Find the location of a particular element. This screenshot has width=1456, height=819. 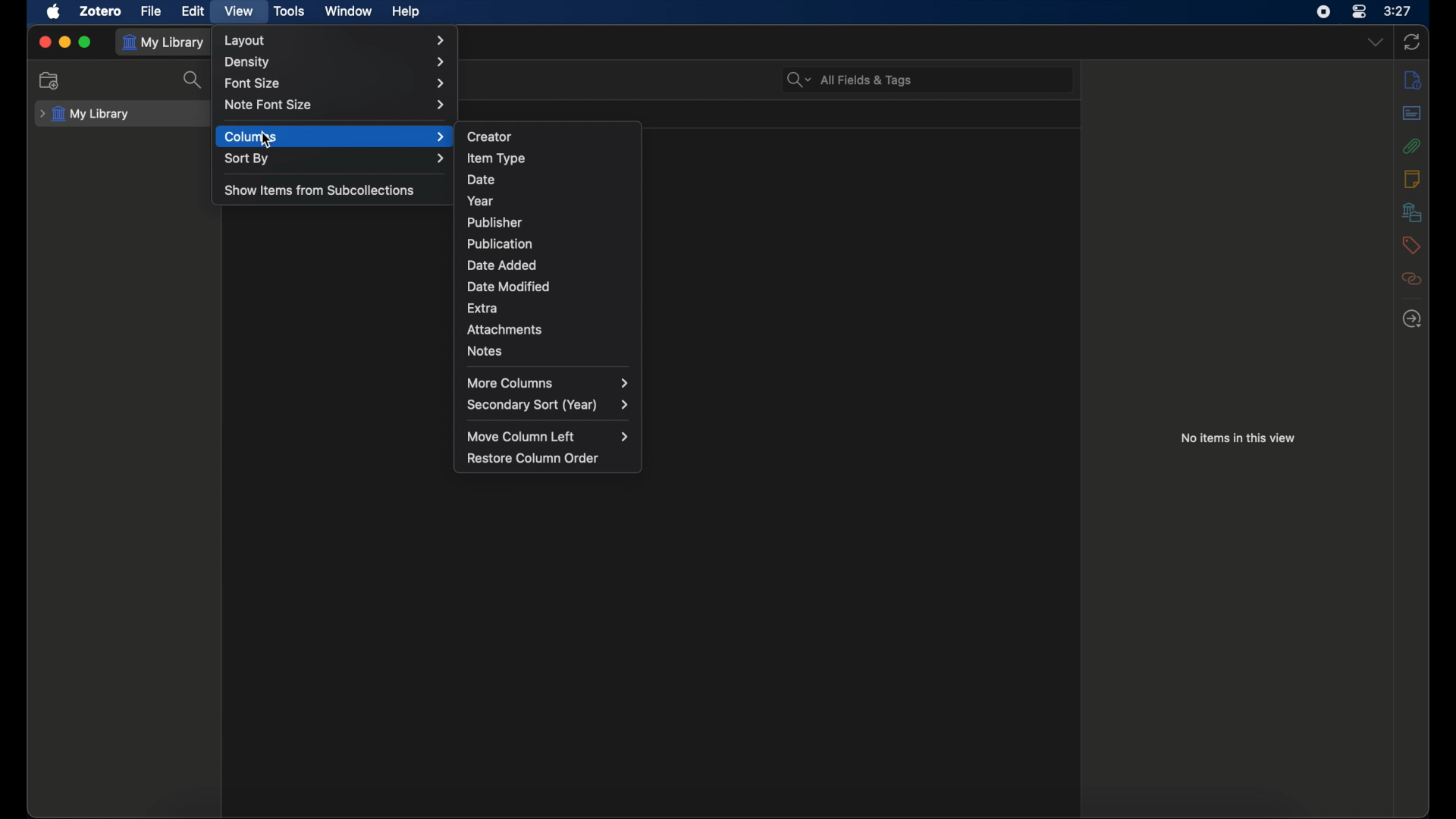

extra is located at coordinates (484, 306).